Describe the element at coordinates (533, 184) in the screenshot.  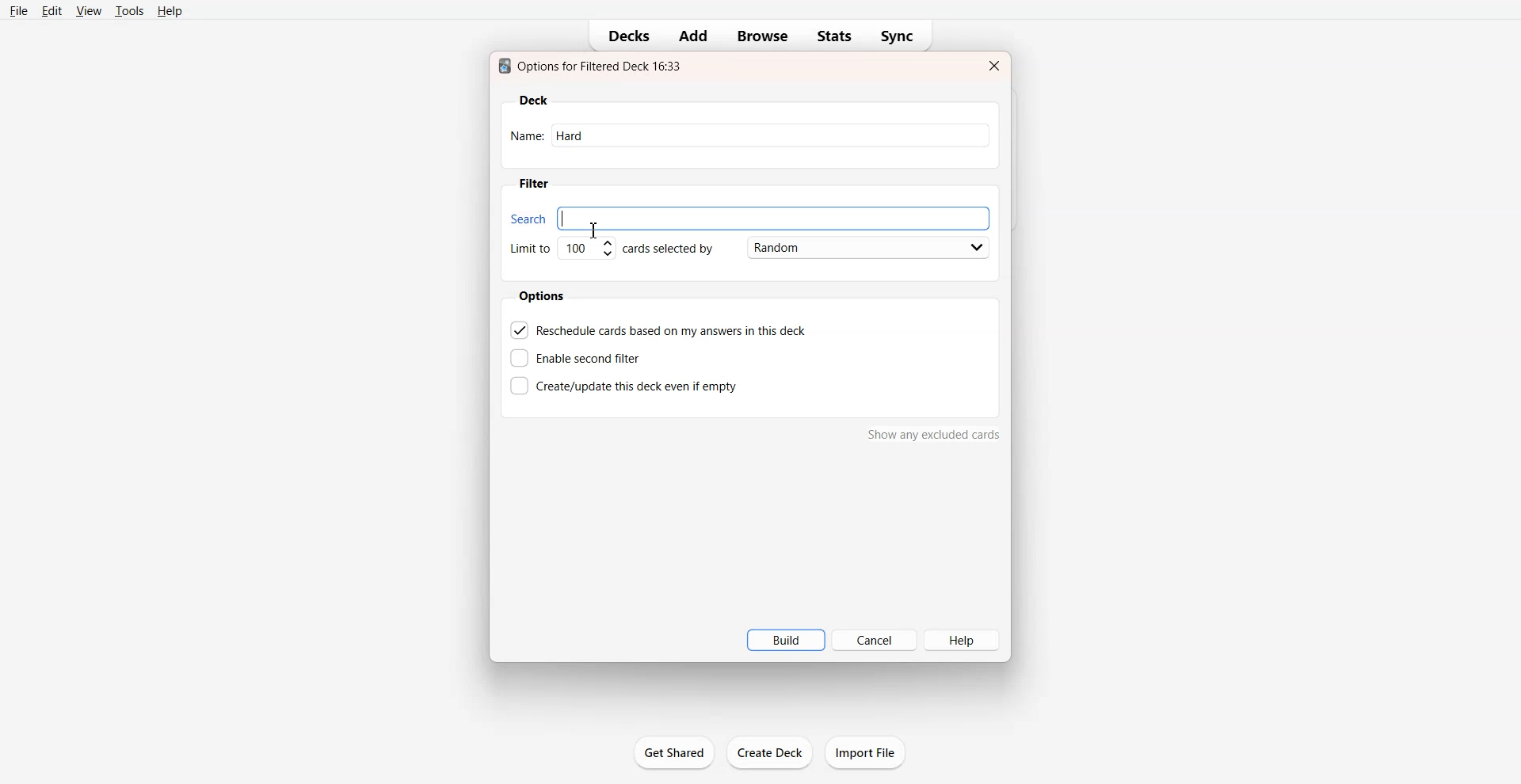
I see `Filter` at that location.